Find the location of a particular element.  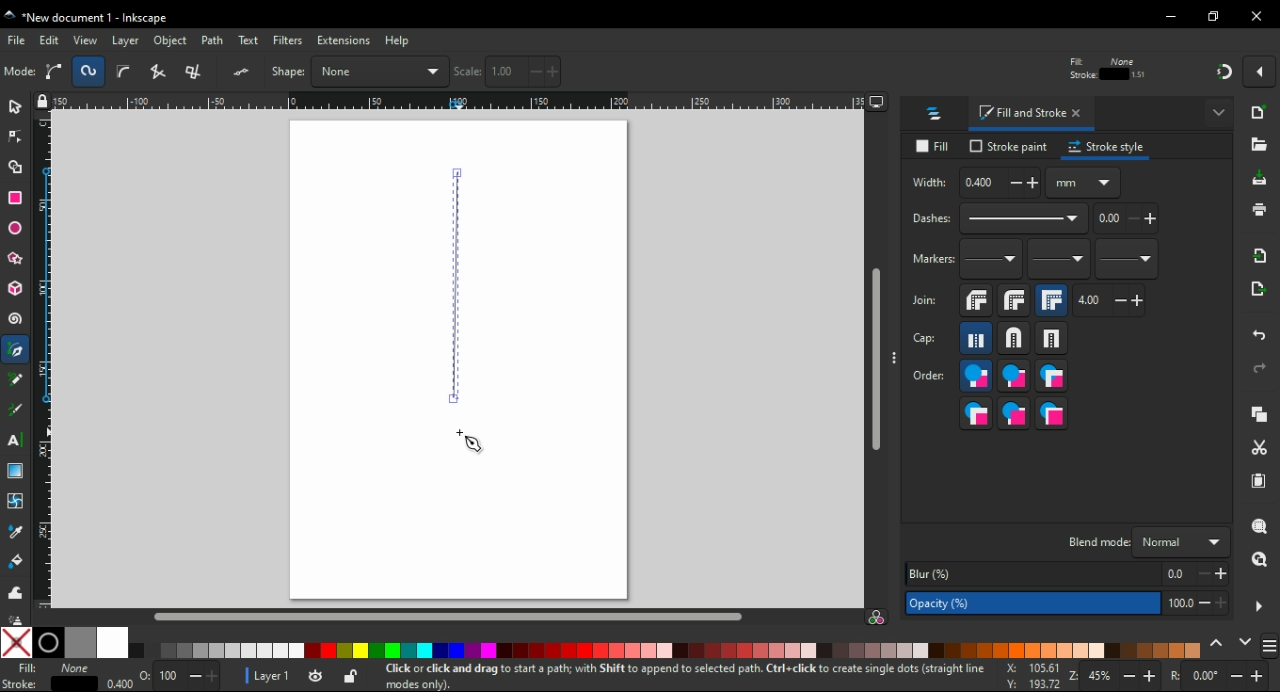

blend mode Normal is located at coordinates (1145, 541).